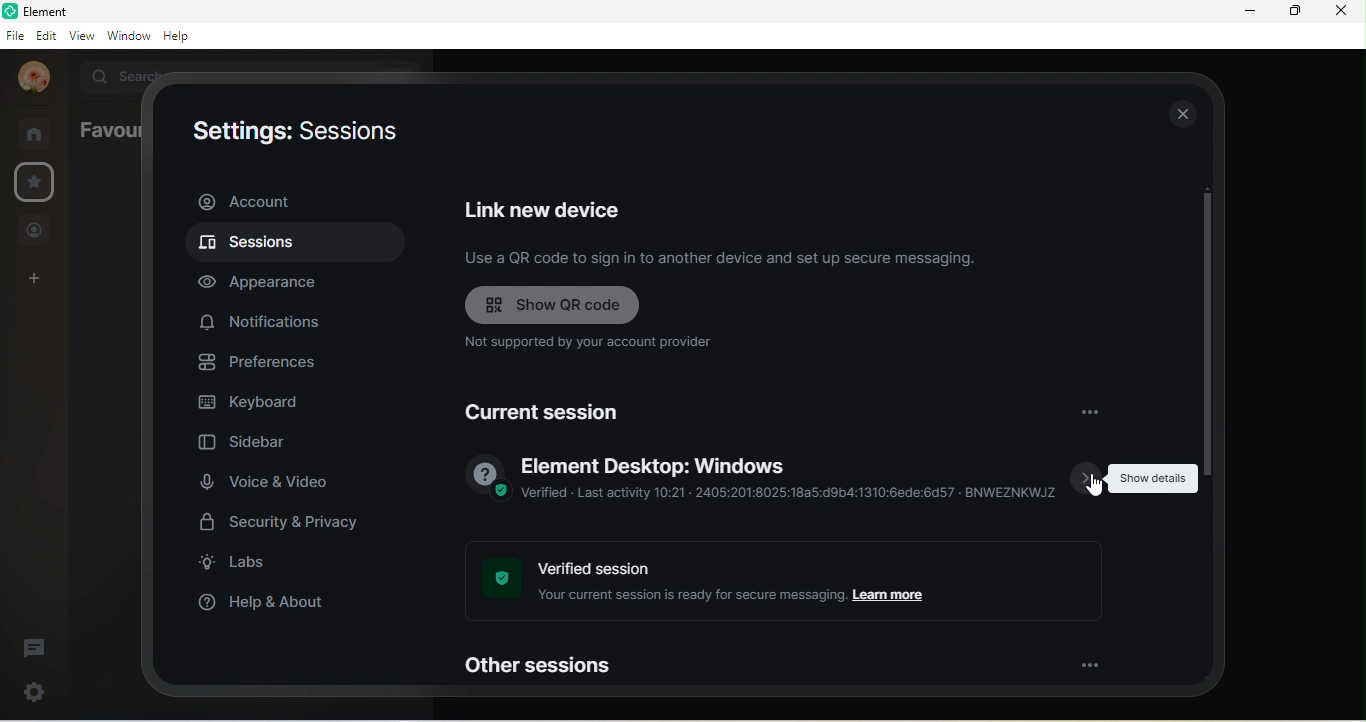 This screenshot has height=722, width=1366. Describe the element at coordinates (552, 304) in the screenshot. I see `show qr code` at that location.